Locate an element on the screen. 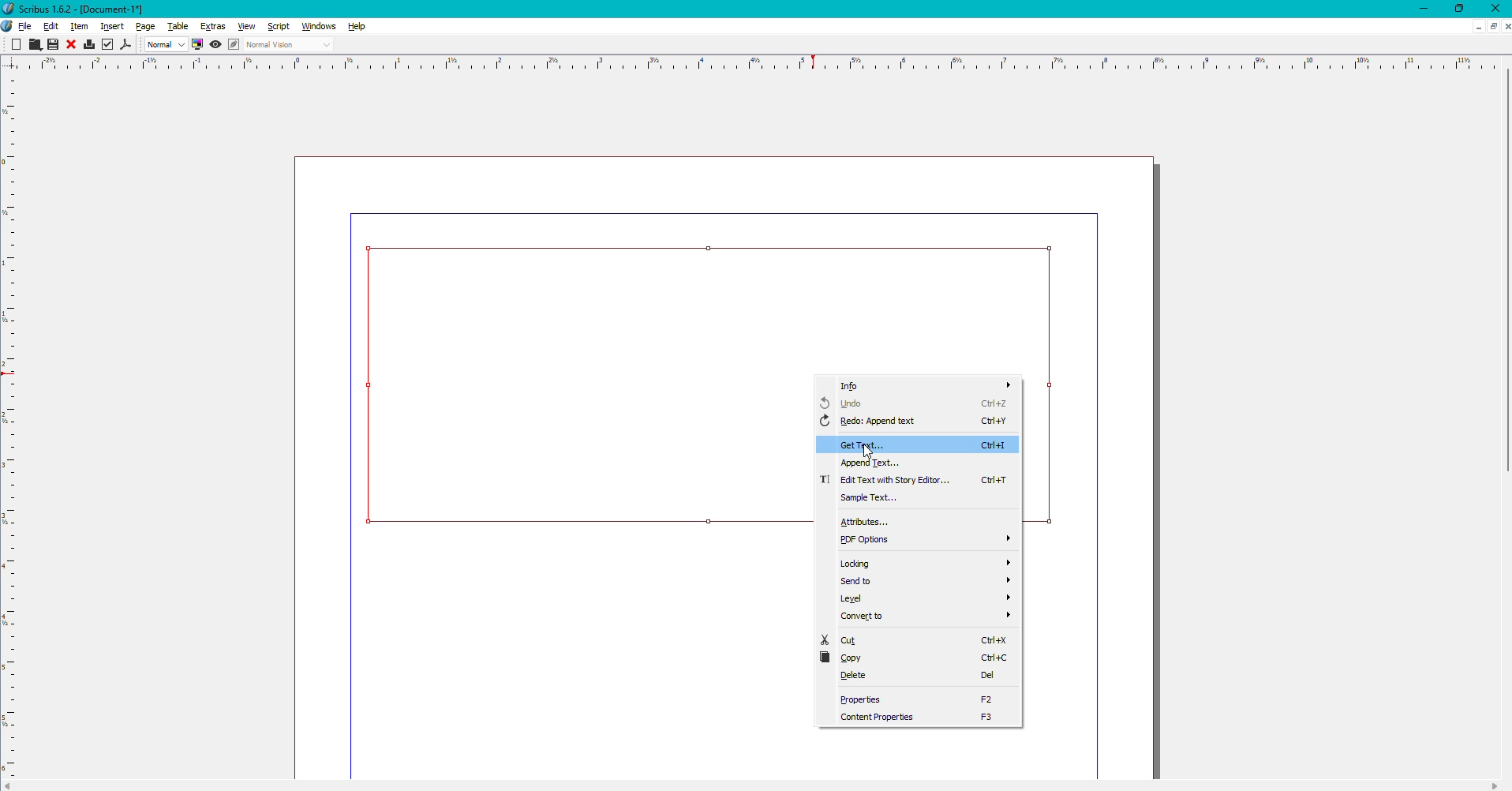 The height and width of the screenshot is (791, 1512). Edit is located at coordinates (51, 27).